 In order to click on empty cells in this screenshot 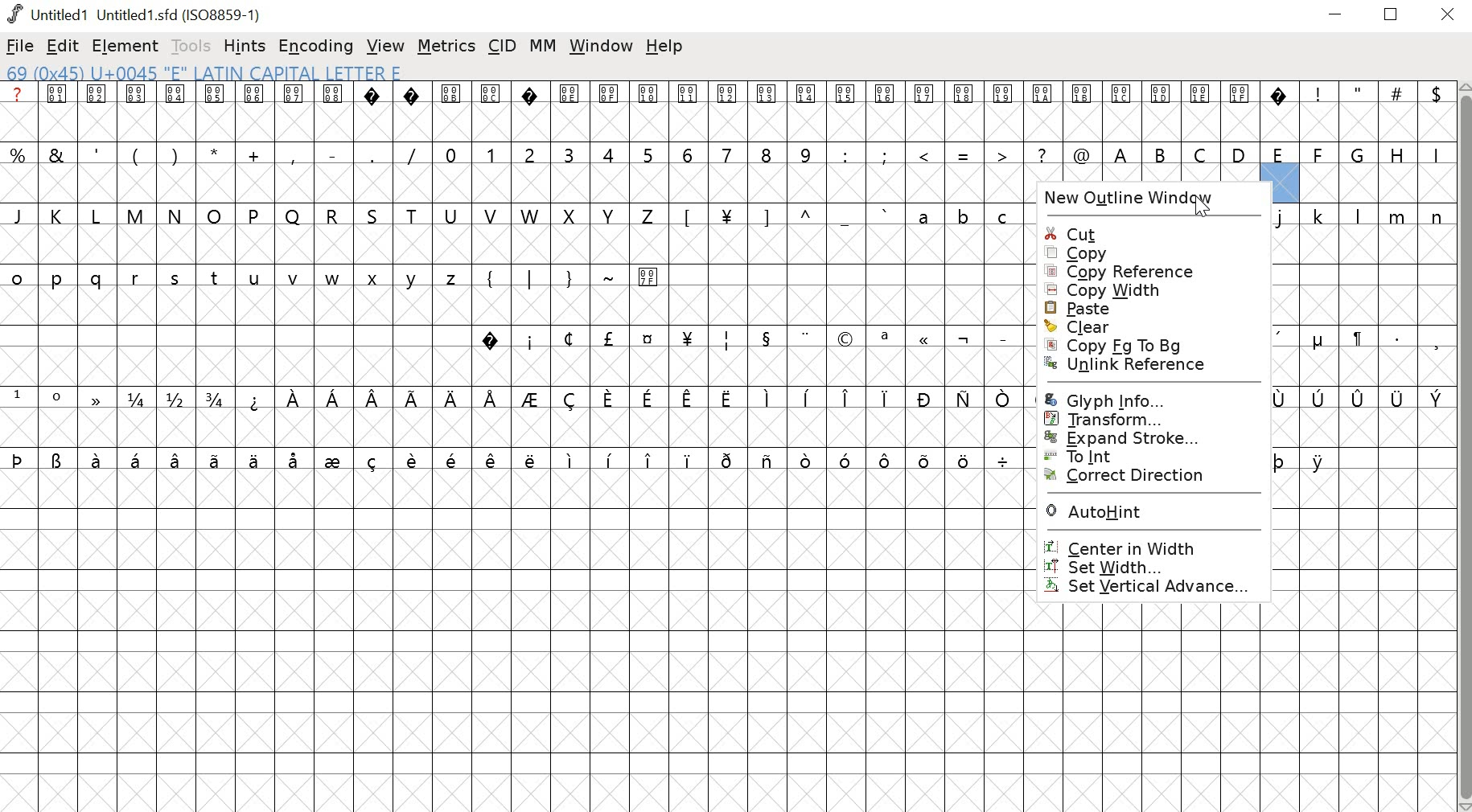, I will do `click(1148, 178)`.